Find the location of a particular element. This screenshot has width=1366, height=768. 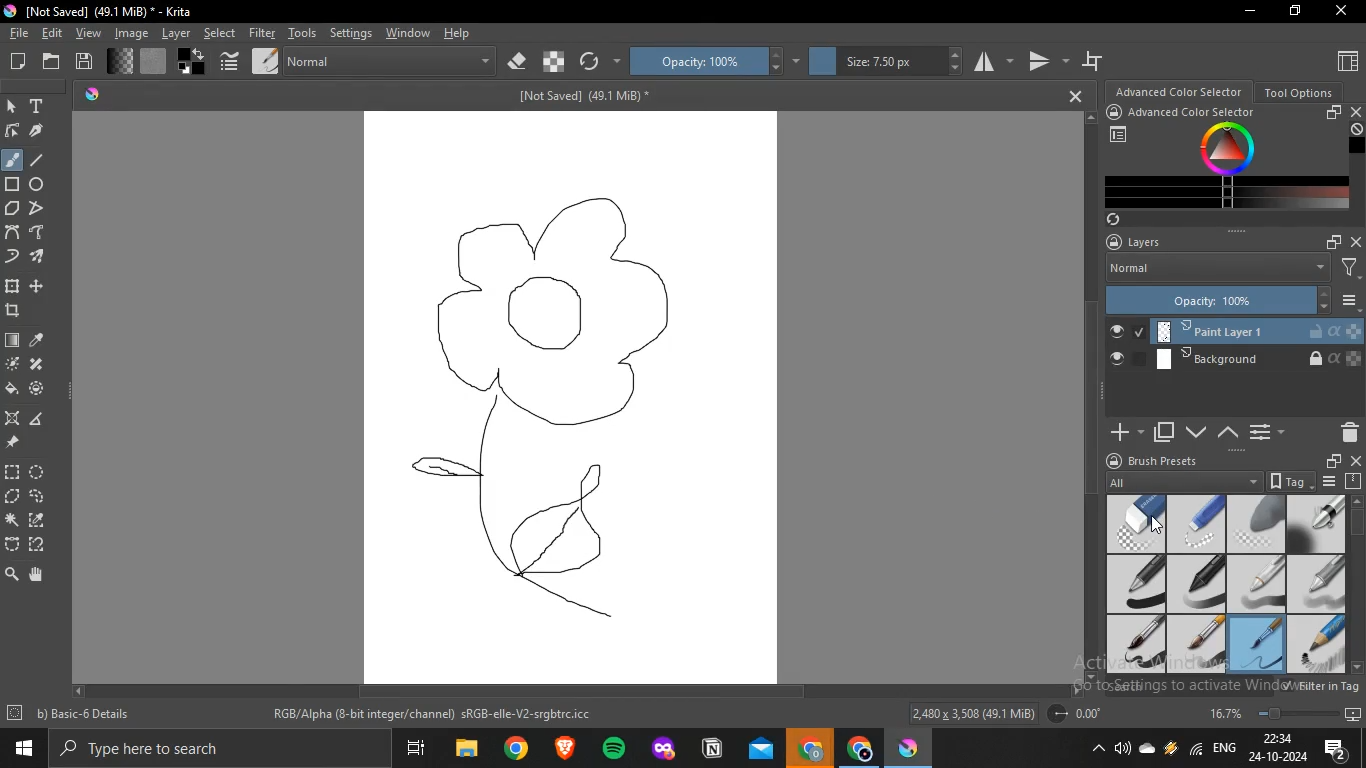

Radius is located at coordinates (1080, 713).